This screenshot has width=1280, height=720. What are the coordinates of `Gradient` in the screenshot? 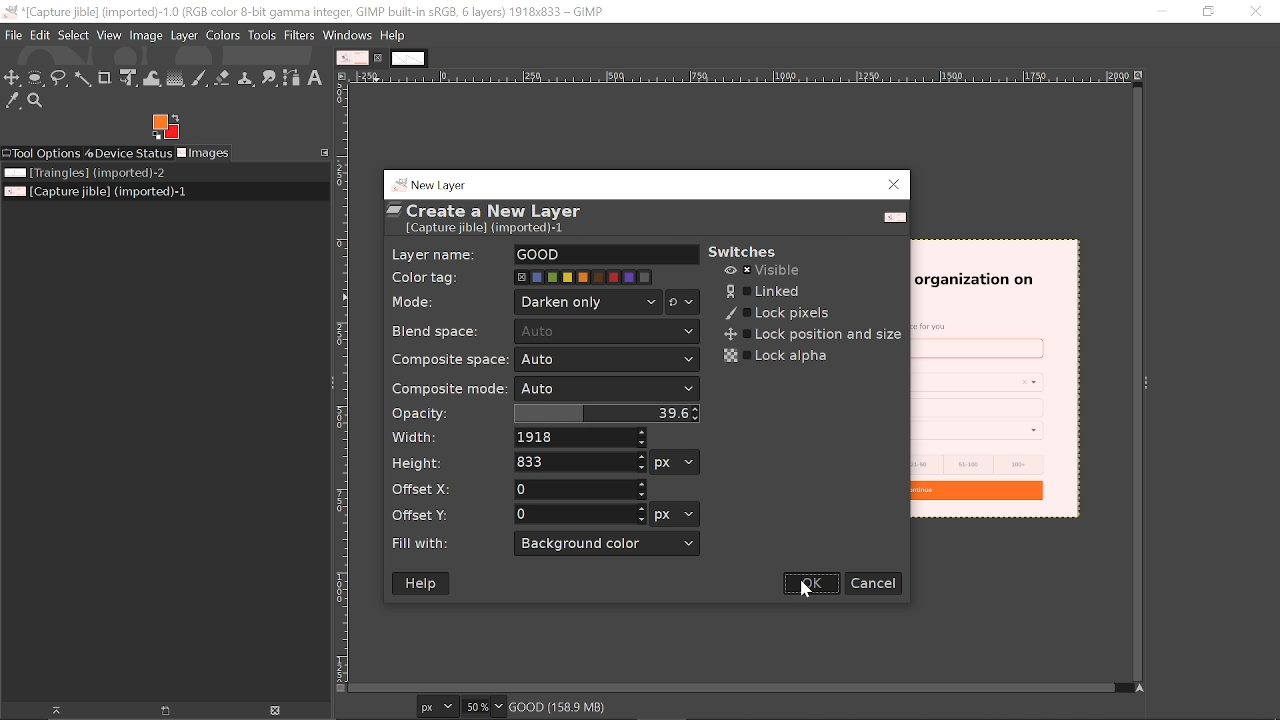 It's located at (175, 78).